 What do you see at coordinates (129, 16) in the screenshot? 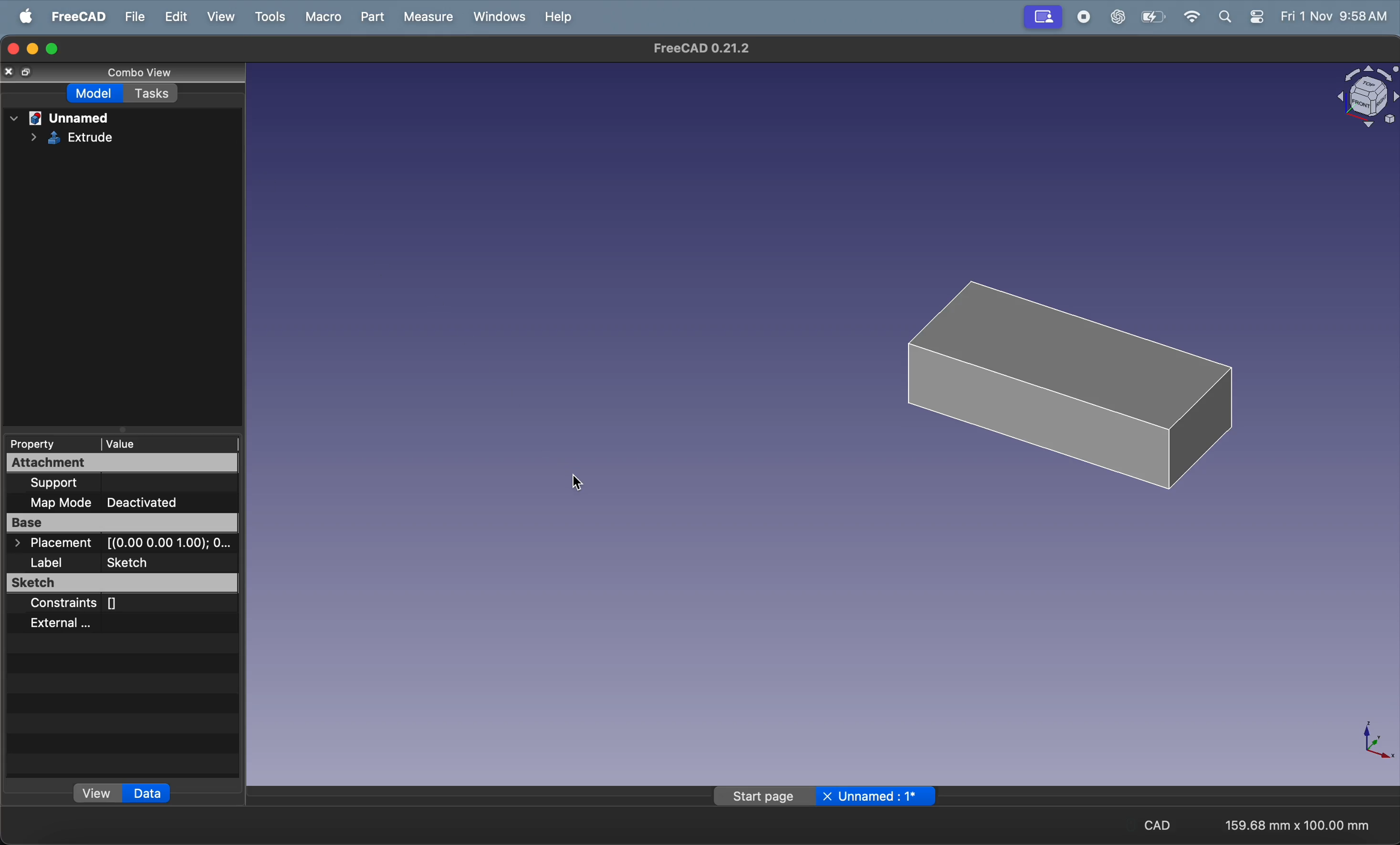
I see `file` at bounding box center [129, 16].